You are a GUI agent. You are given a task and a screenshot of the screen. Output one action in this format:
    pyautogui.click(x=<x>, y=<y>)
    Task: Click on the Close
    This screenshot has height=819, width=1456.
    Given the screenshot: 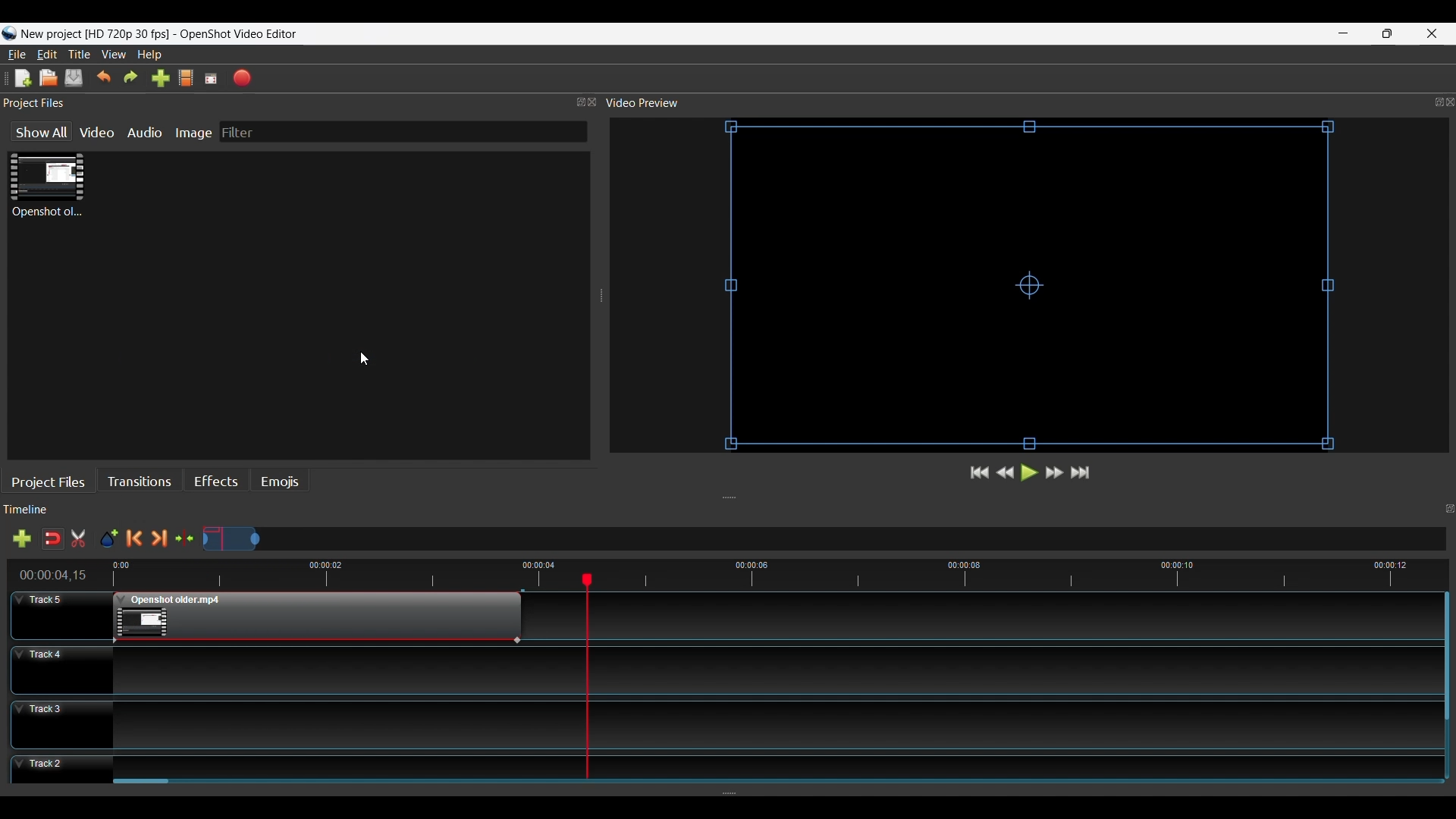 What is the action you would take?
    pyautogui.click(x=1430, y=33)
    